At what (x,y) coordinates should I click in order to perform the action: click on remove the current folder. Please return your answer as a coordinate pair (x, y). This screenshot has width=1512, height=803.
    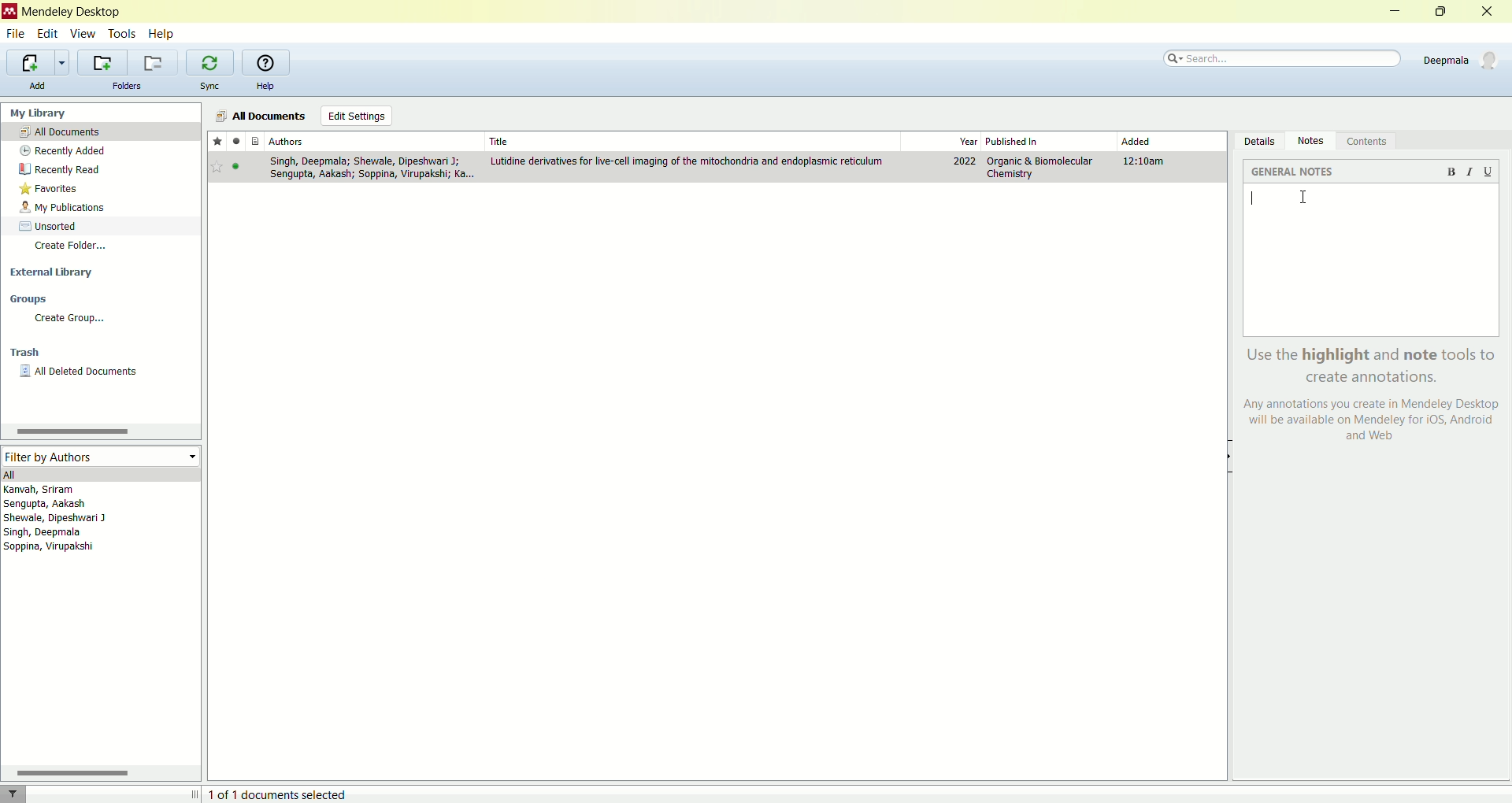
    Looking at the image, I should click on (153, 63).